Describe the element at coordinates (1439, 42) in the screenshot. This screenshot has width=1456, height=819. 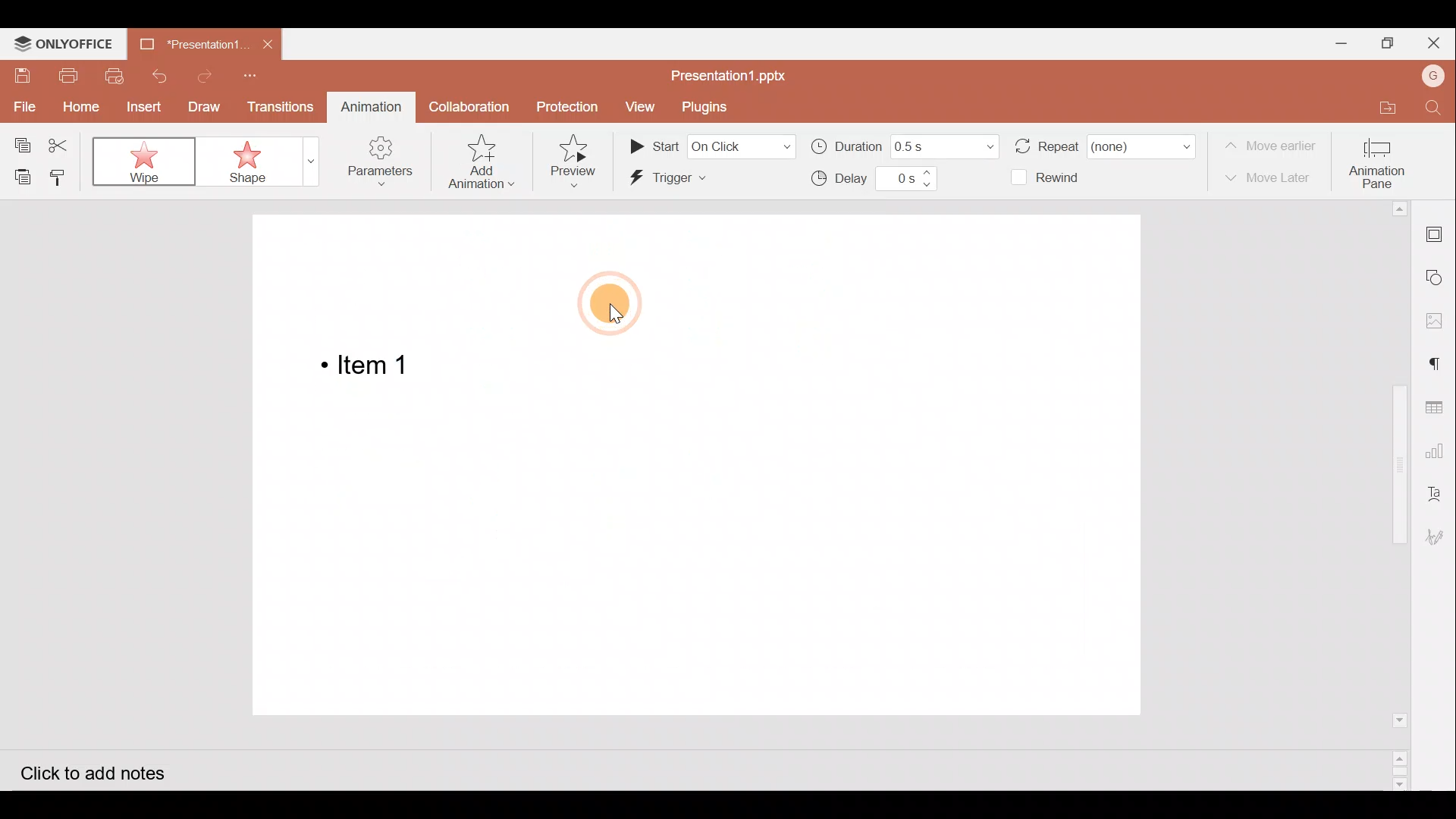
I see `Close` at that location.